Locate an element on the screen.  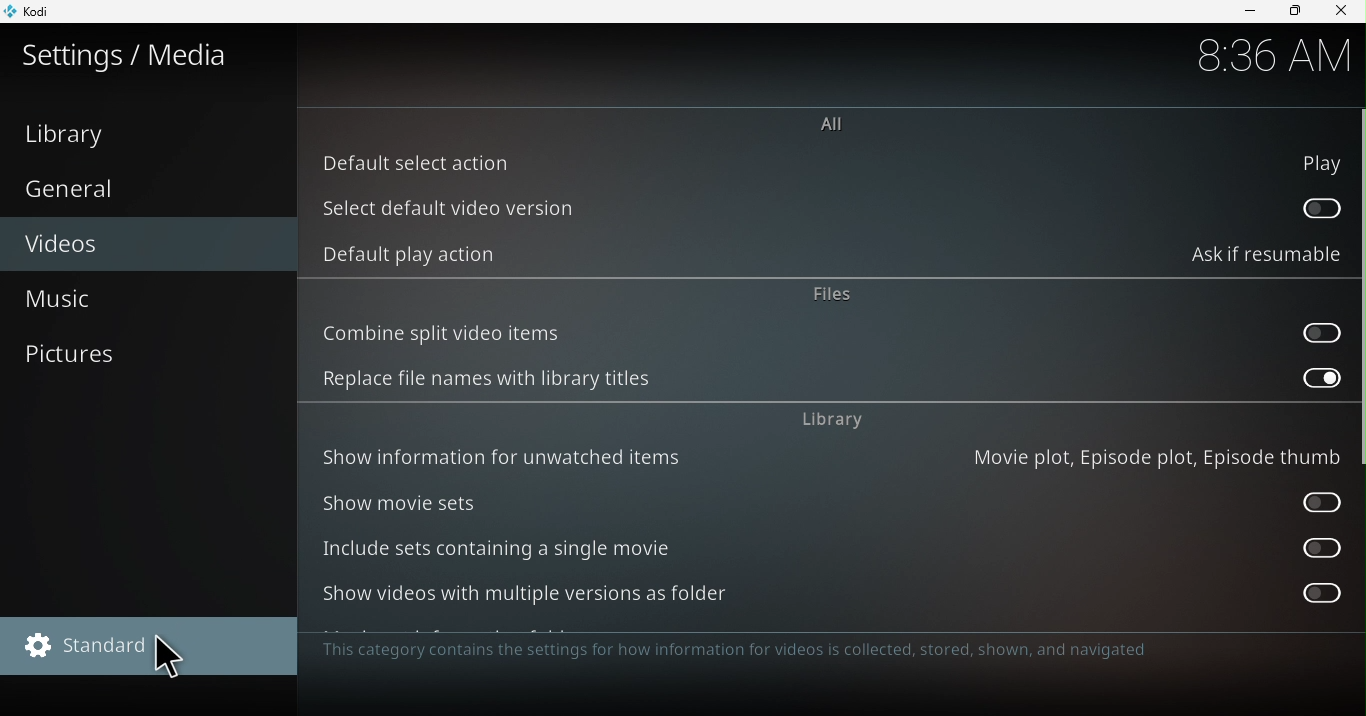
Videos is located at coordinates (145, 247).